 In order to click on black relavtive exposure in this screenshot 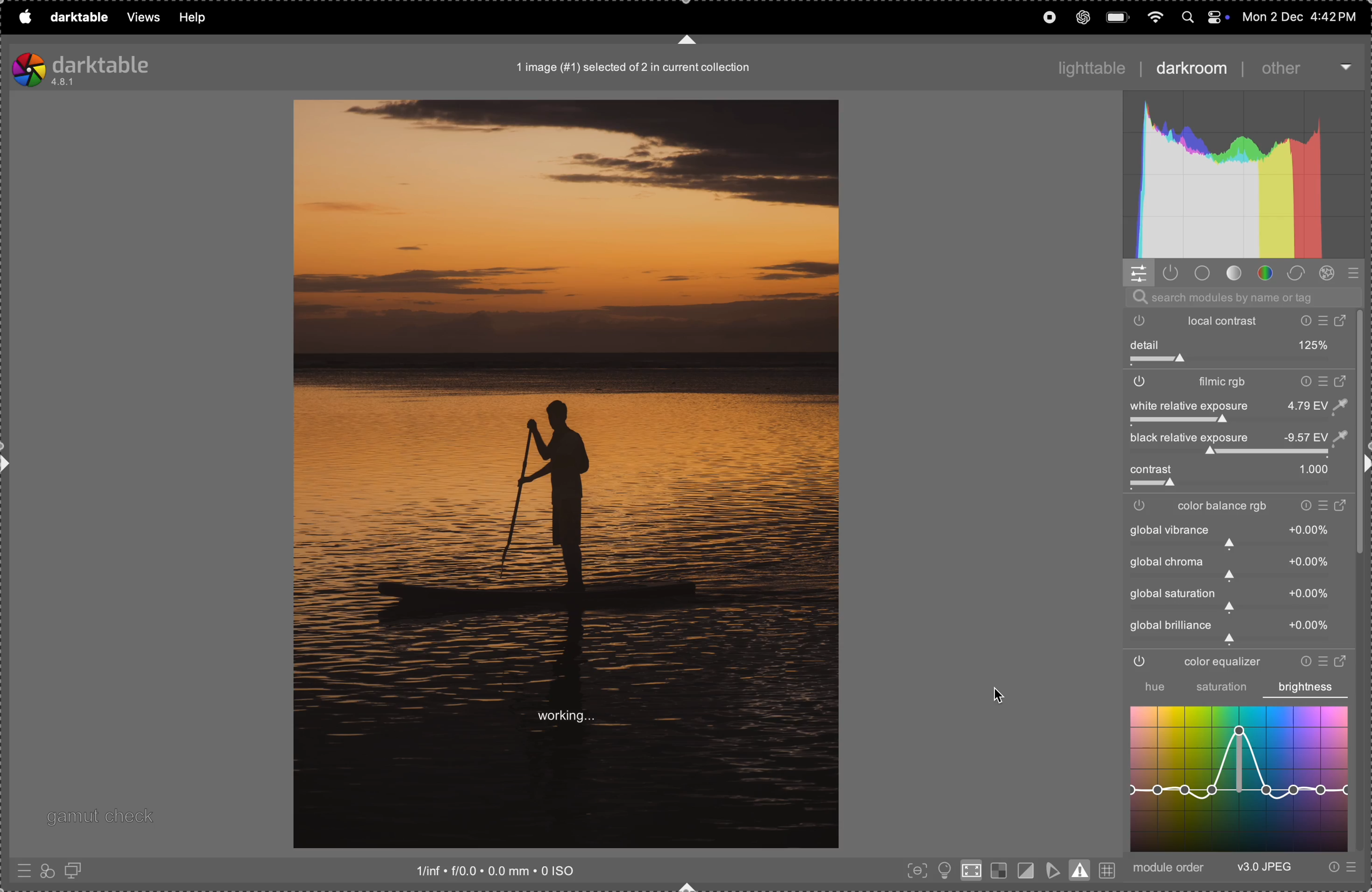, I will do `click(1245, 438)`.